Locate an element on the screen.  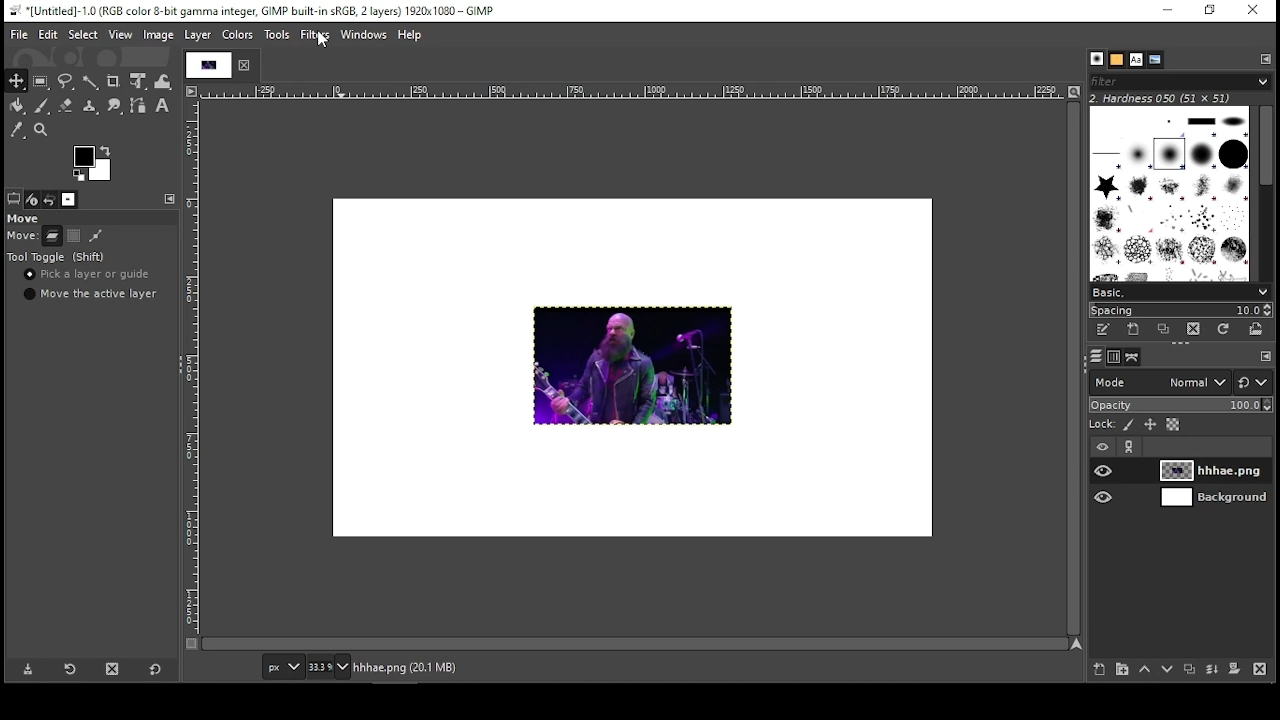
open brush as image is located at coordinates (1254, 330).